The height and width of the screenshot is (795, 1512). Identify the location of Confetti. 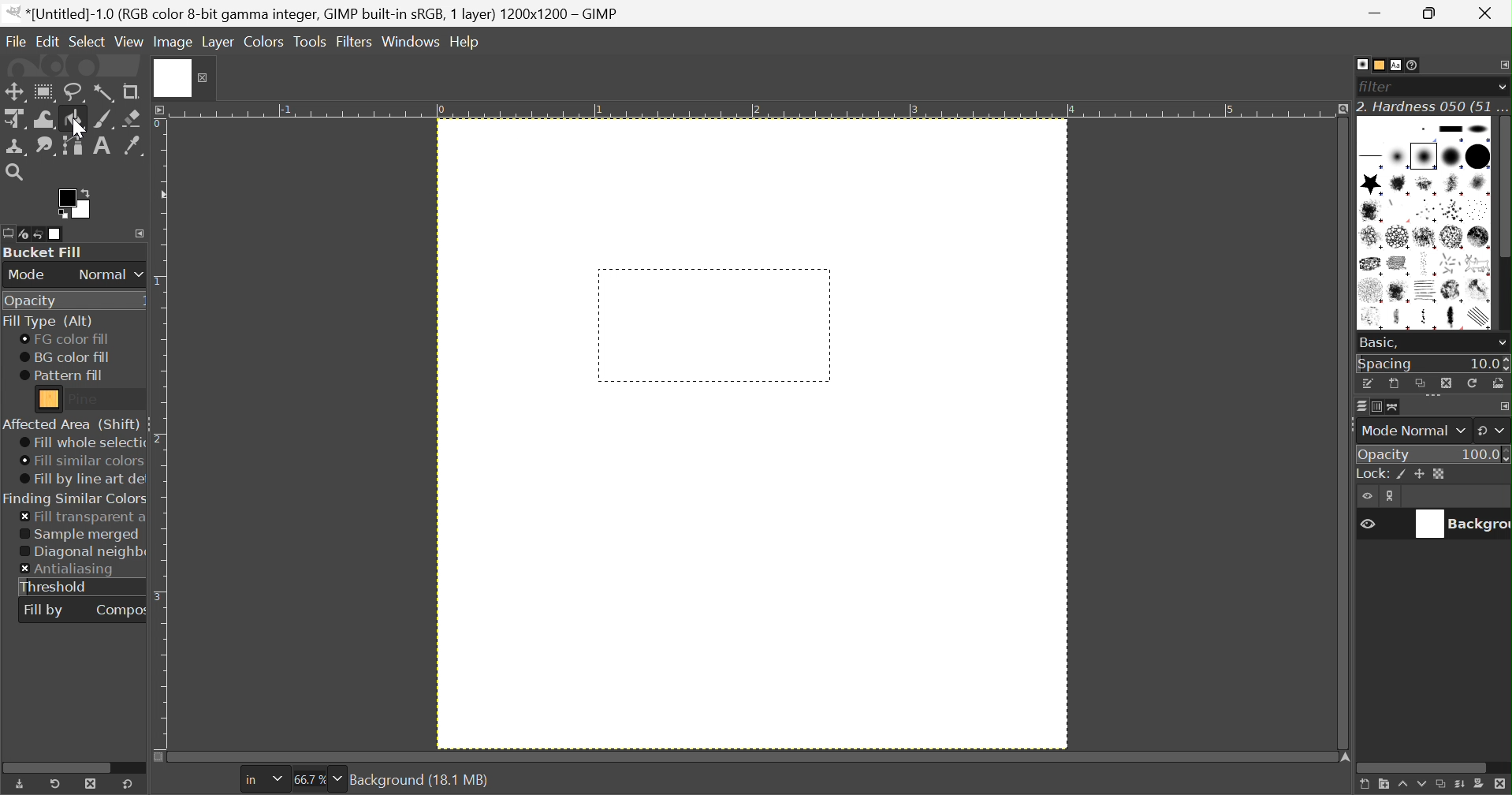
(1451, 263).